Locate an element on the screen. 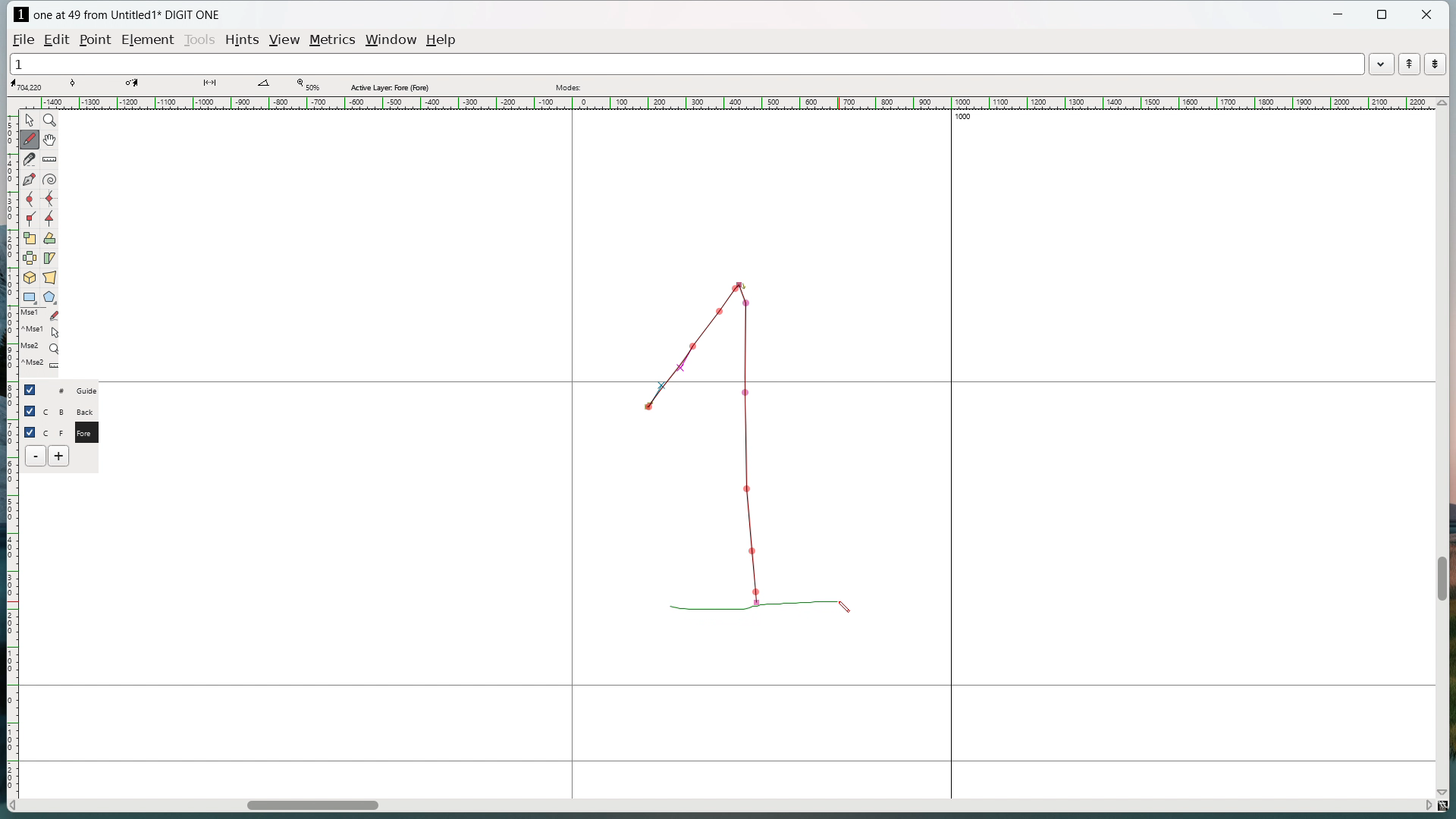 This screenshot has width=1456, height=819. element is located at coordinates (147, 39).